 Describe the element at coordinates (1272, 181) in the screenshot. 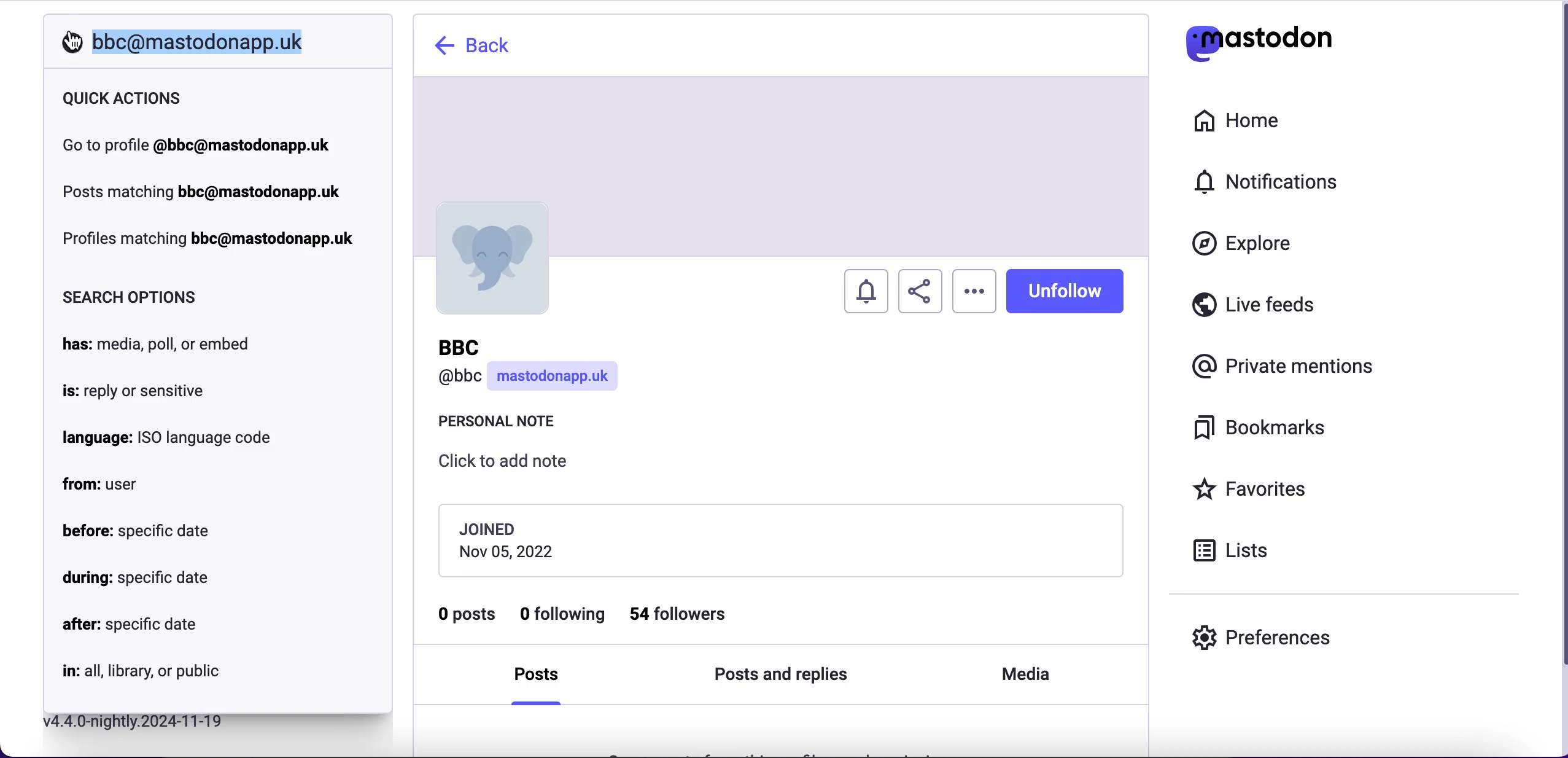

I see `notifications` at that location.